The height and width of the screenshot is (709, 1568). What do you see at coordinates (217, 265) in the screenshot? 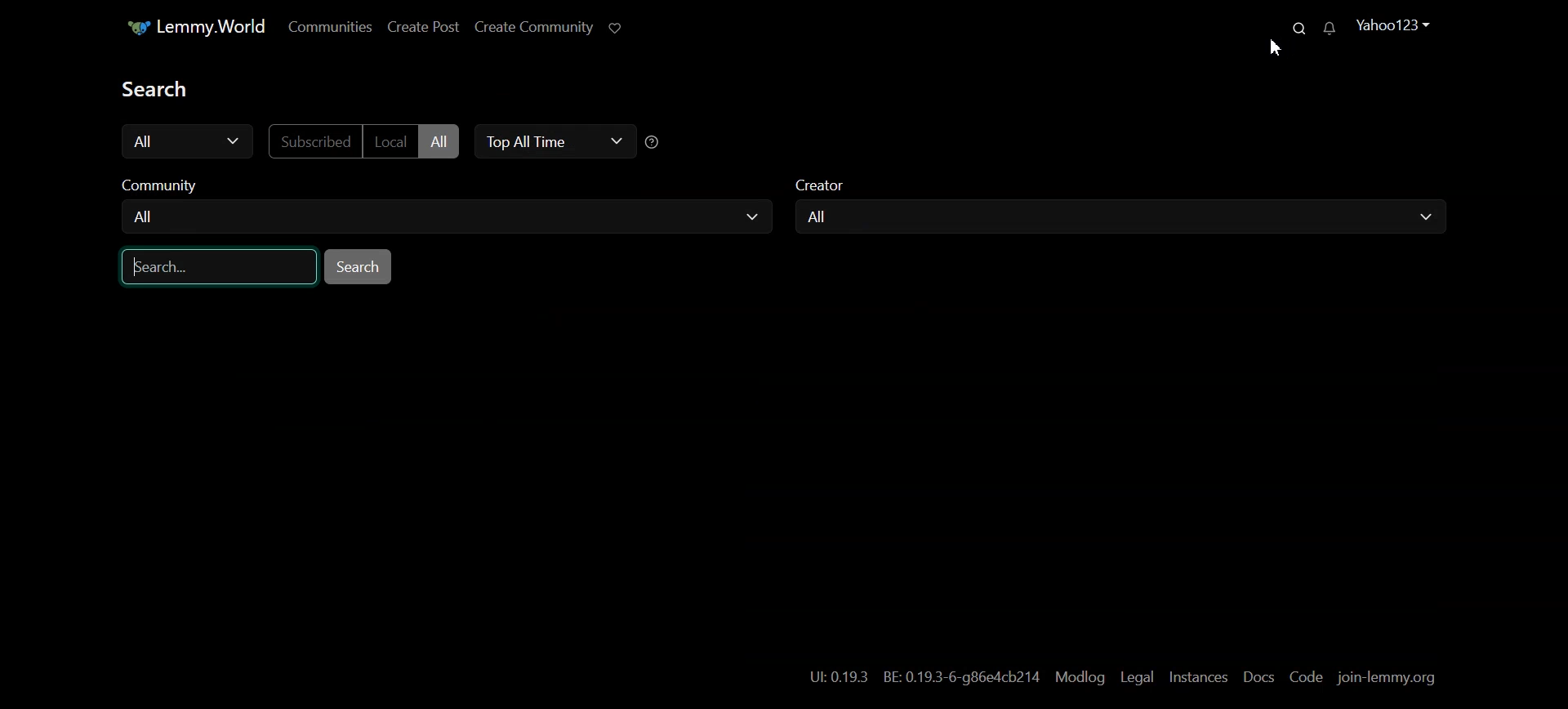
I see `Search Bar` at bounding box center [217, 265].